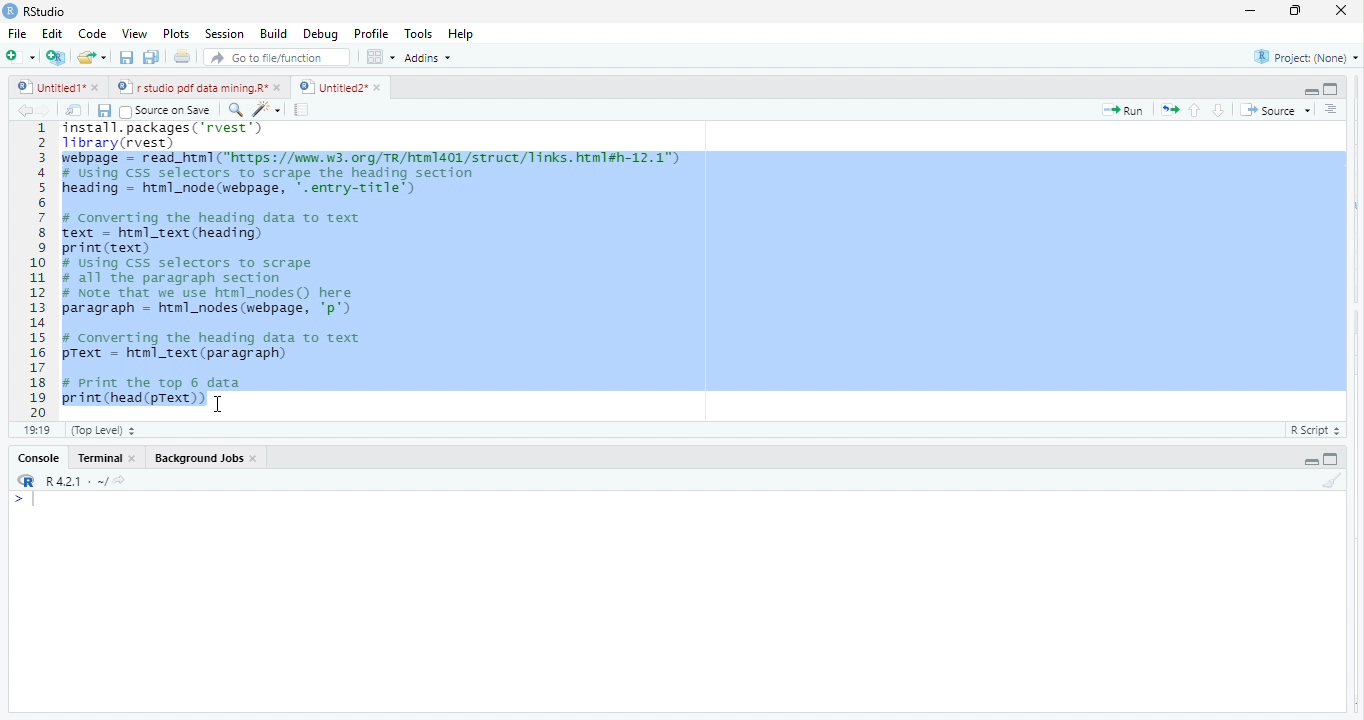  Describe the element at coordinates (17, 34) in the screenshot. I see `File` at that location.